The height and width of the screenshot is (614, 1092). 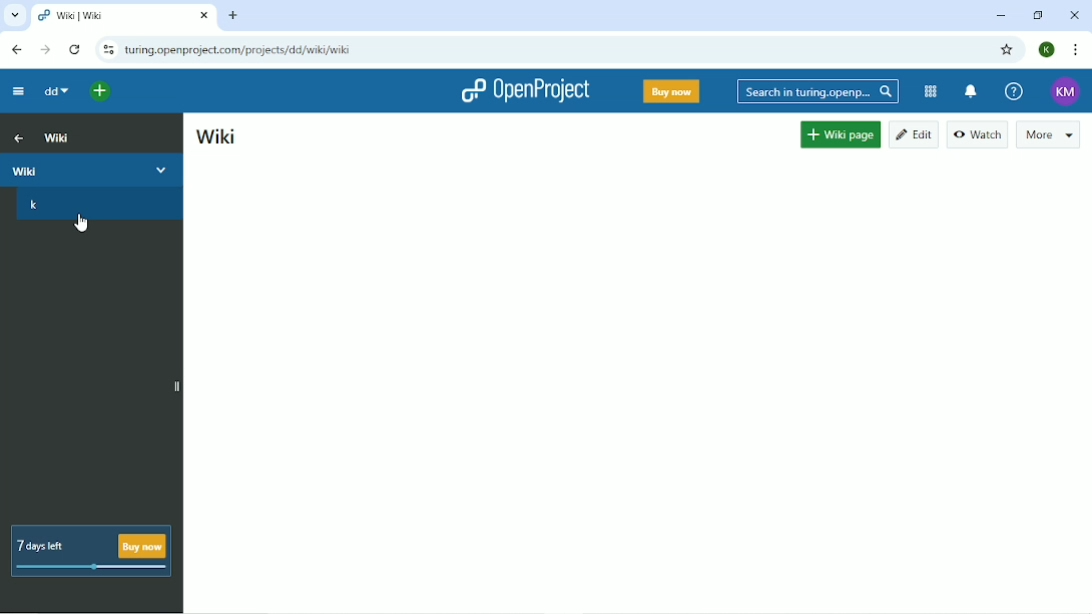 I want to click on View site information, so click(x=105, y=50).